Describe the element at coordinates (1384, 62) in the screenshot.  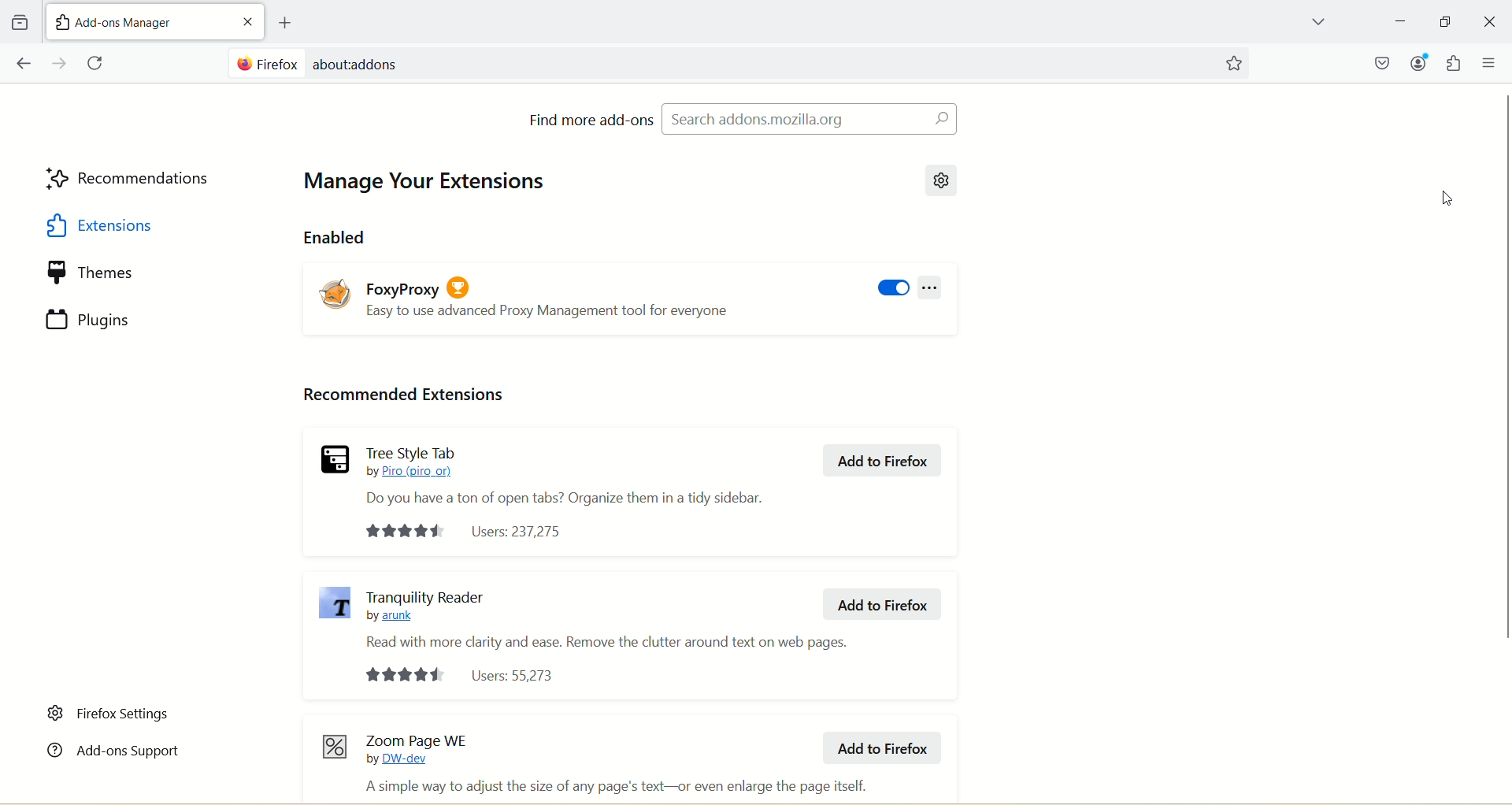
I see `Macsafe` at that location.